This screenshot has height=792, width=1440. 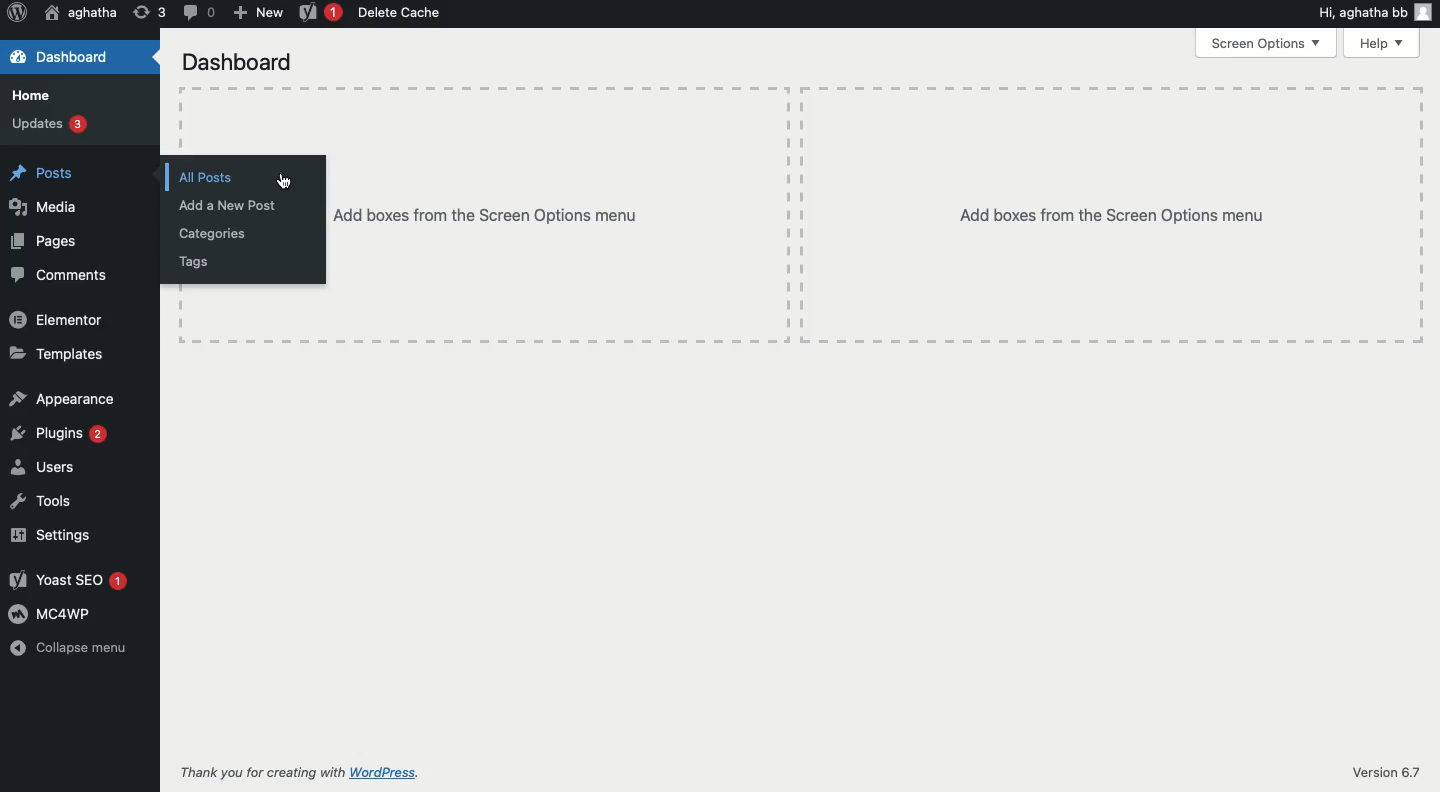 I want to click on Thank you for creating with wordpress, so click(x=305, y=773).